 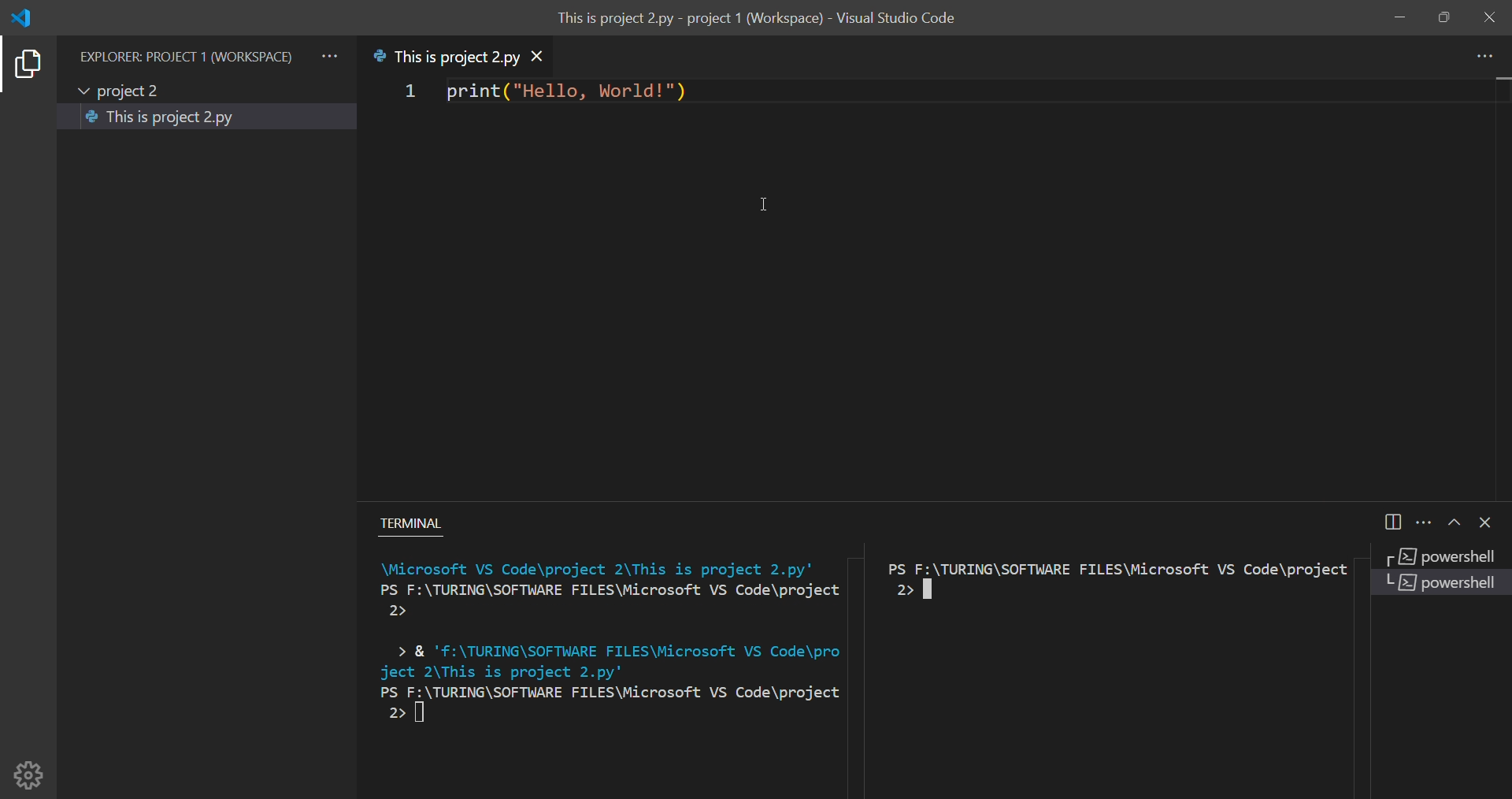 I want to click on split, so click(x=1396, y=522).